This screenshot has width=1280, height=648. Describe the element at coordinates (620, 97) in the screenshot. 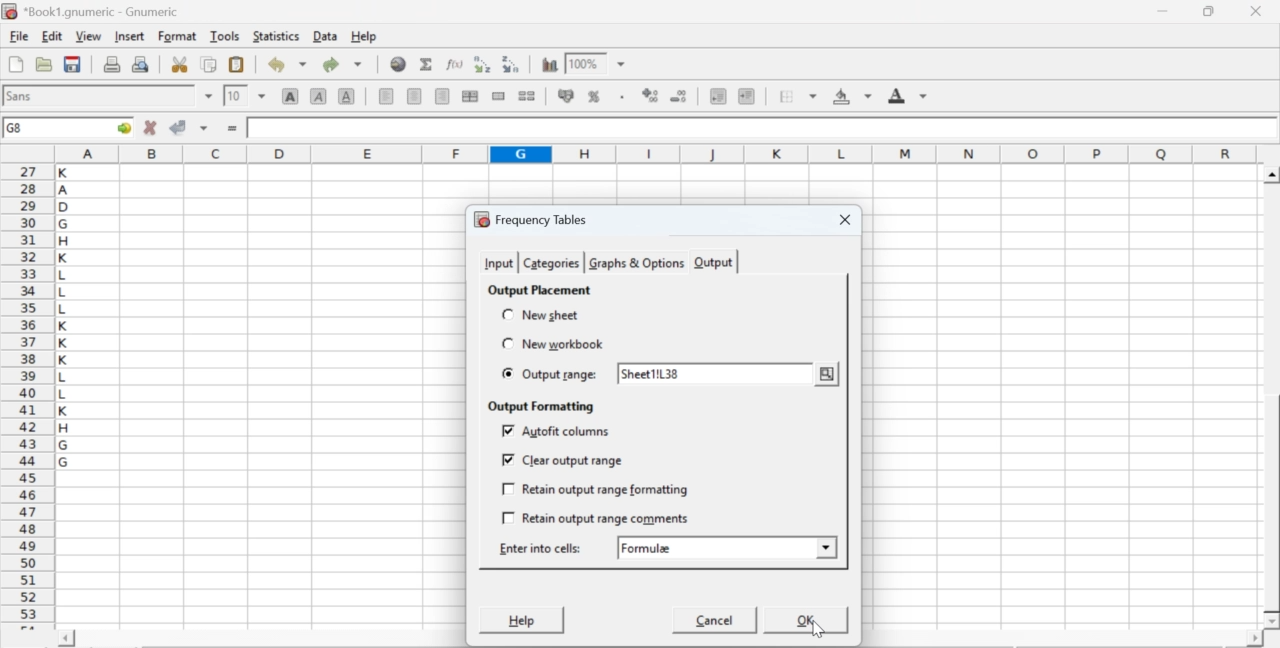

I see `Set the format of the selected cells to include a thousands separator` at that location.